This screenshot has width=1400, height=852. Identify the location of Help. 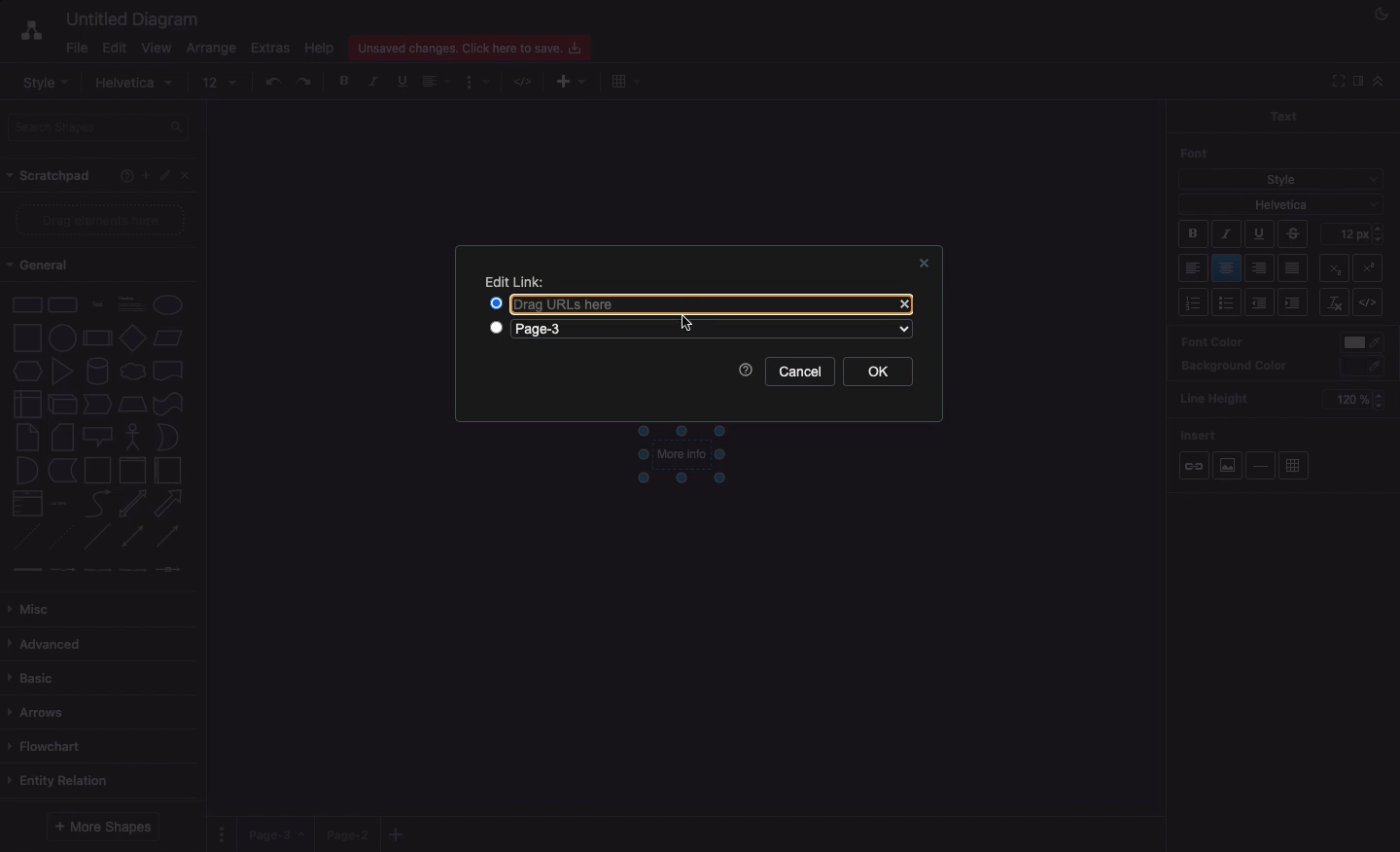
(318, 48).